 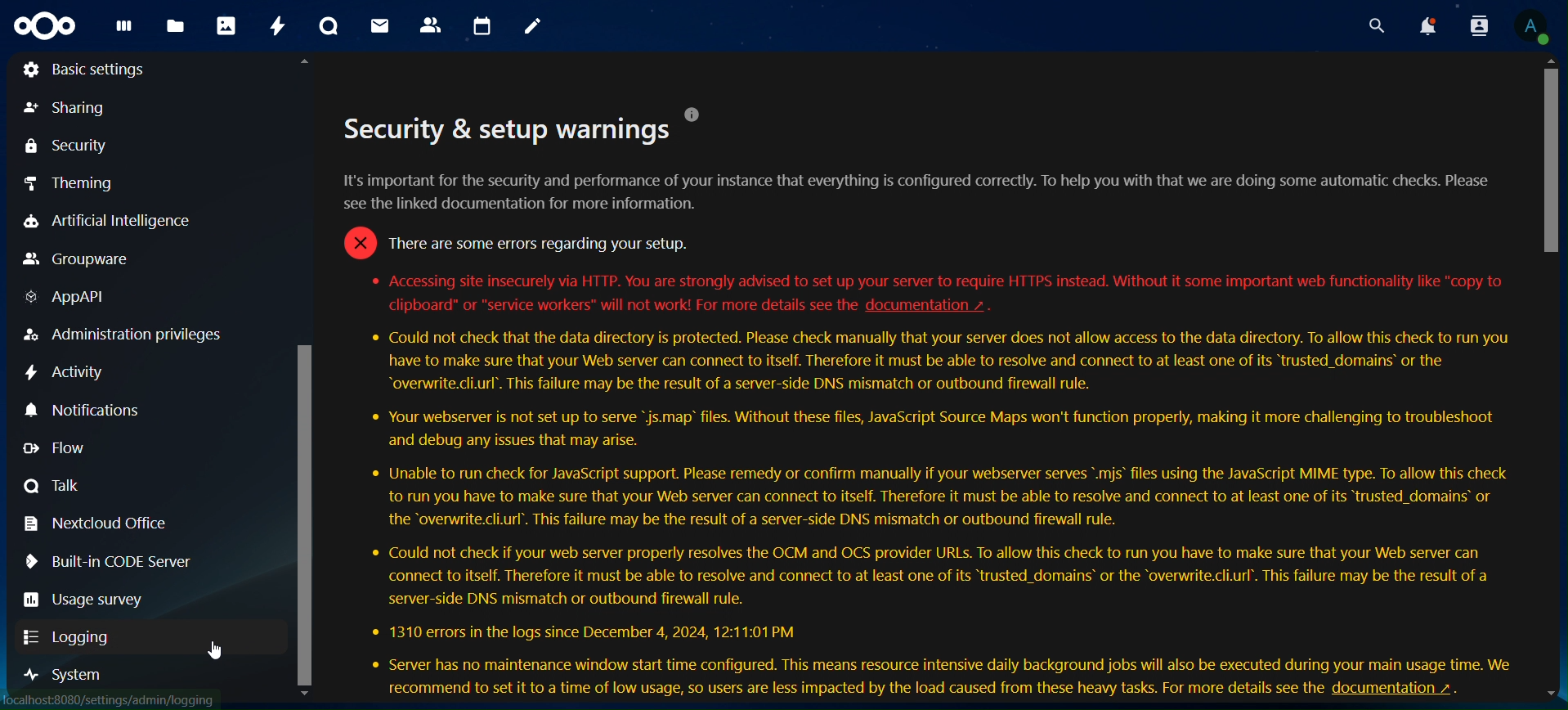 I want to click on artificial intelligence, so click(x=123, y=222).